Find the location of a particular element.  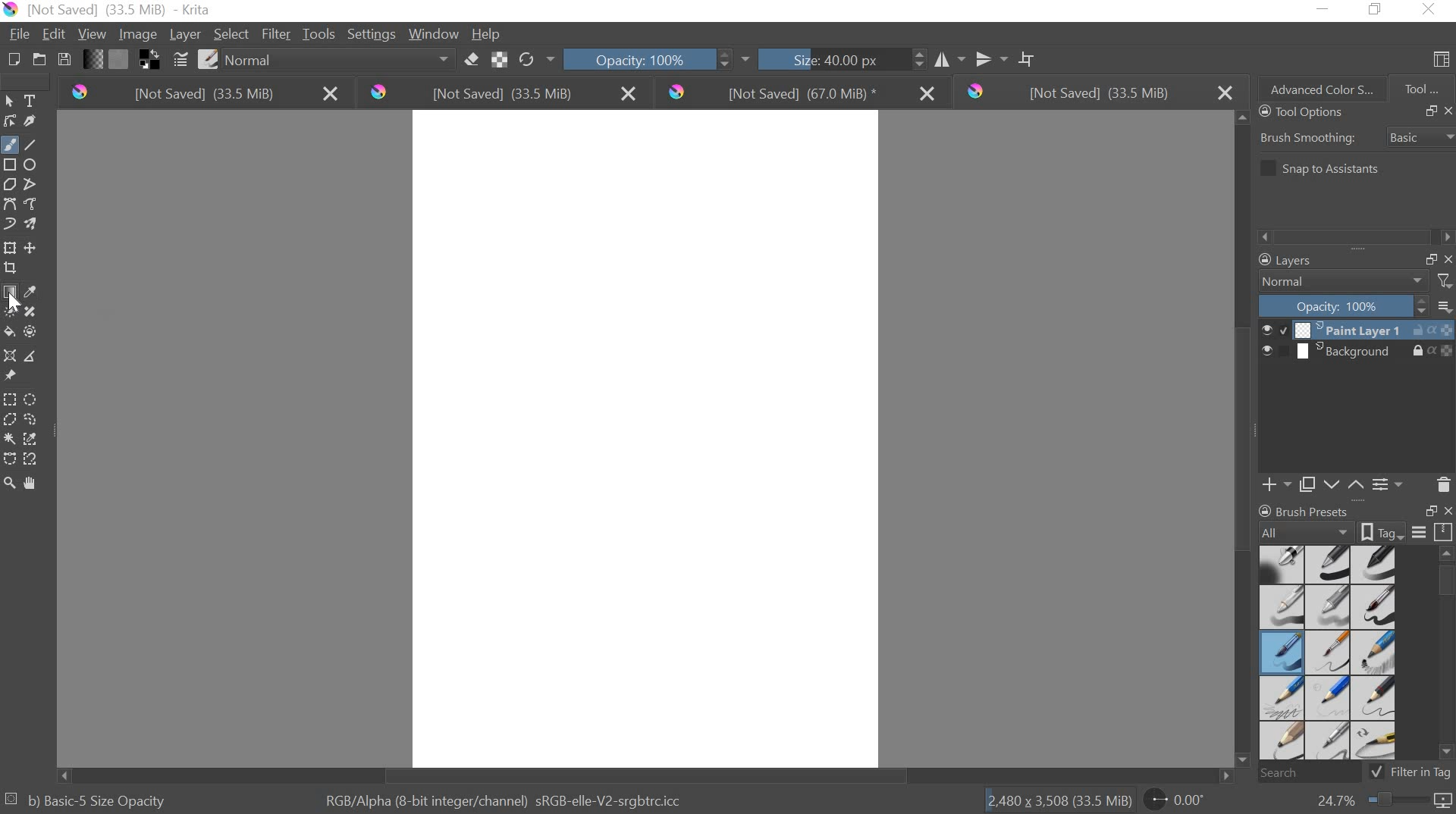

rectangular selection is located at coordinates (10, 398).